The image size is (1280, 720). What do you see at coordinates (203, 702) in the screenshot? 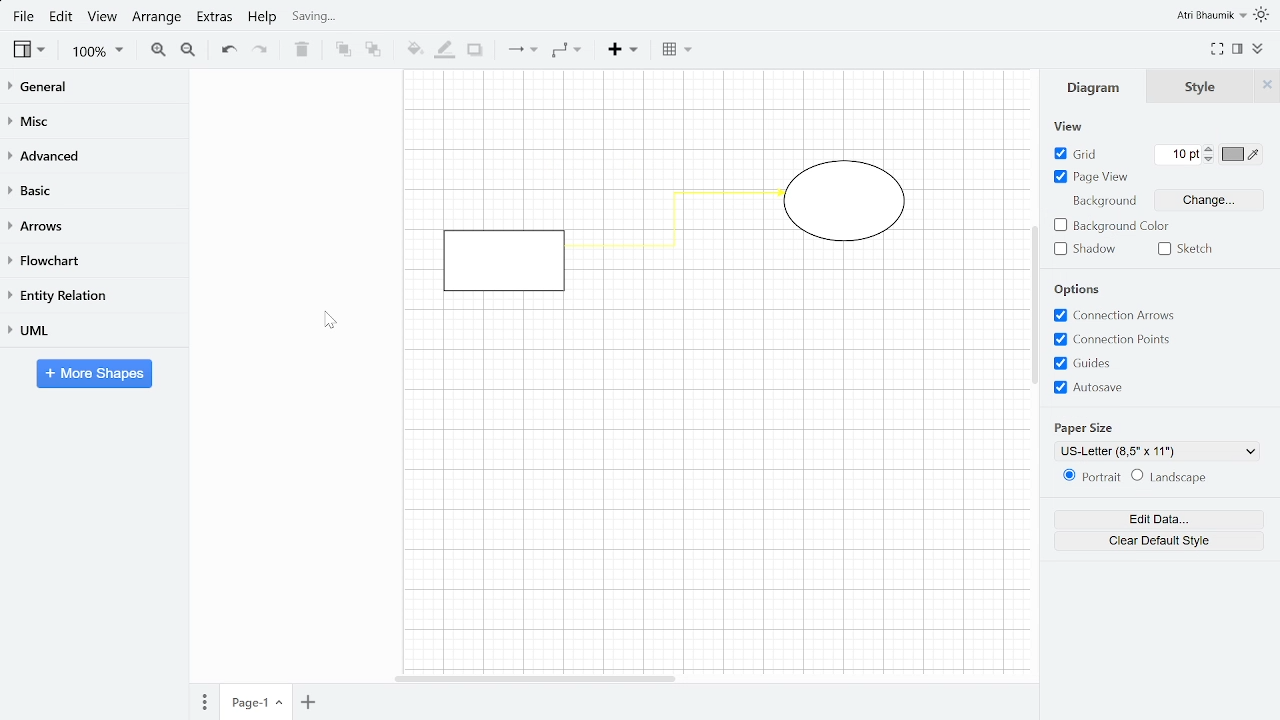
I see `Pages` at bounding box center [203, 702].